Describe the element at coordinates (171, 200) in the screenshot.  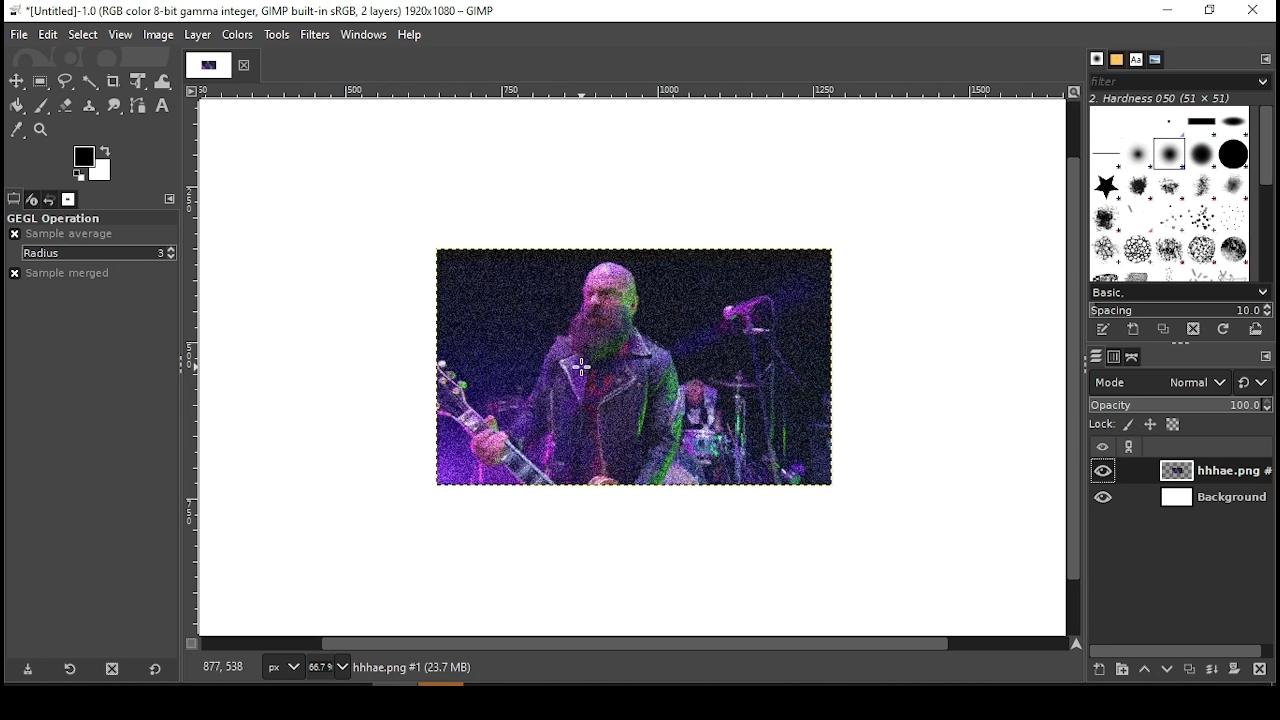
I see `configure this tab` at that location.